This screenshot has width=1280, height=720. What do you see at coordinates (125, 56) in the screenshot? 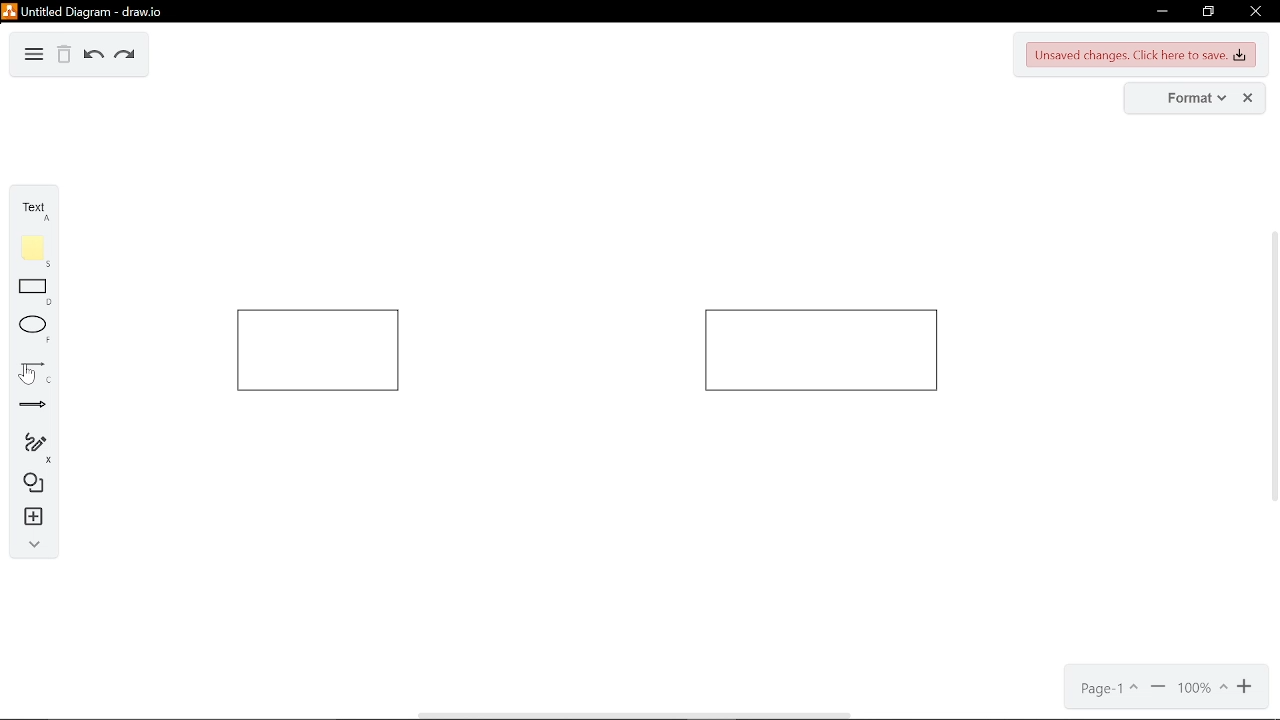
I see `redo` at bounding box center [125, 56].